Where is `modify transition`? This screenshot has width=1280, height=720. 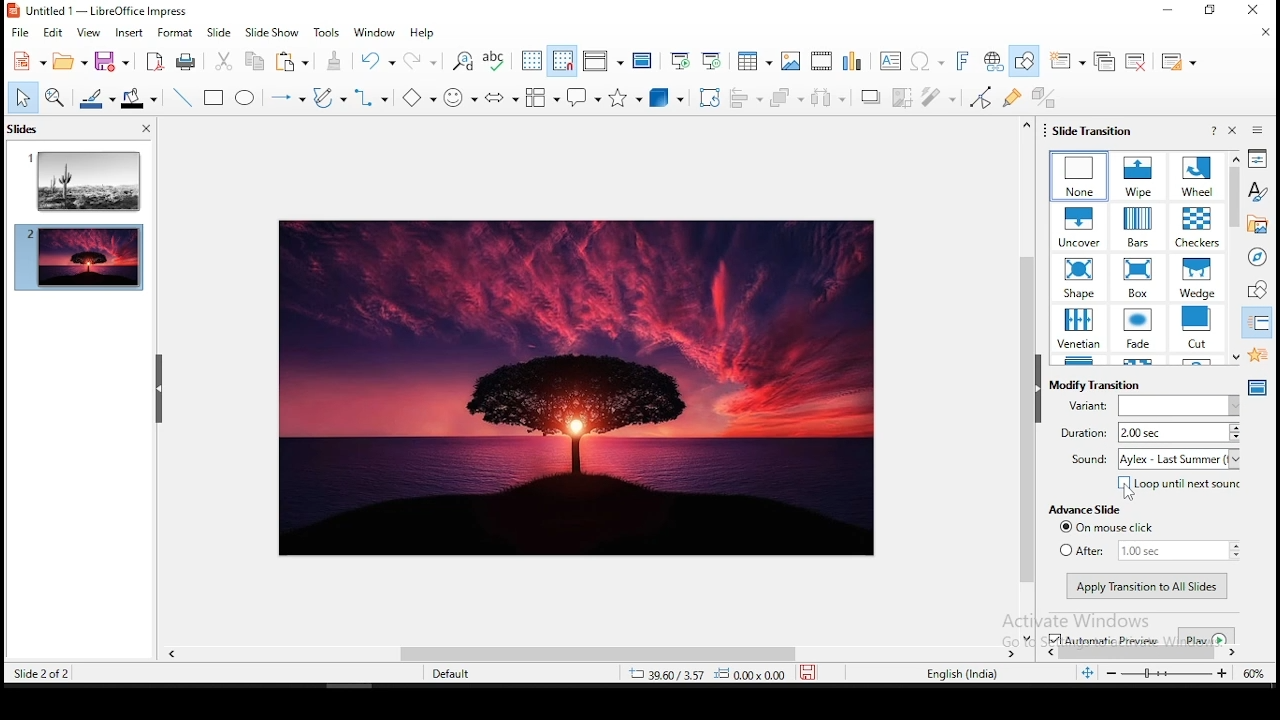
modify transition is located at coordinates (1099, 385).